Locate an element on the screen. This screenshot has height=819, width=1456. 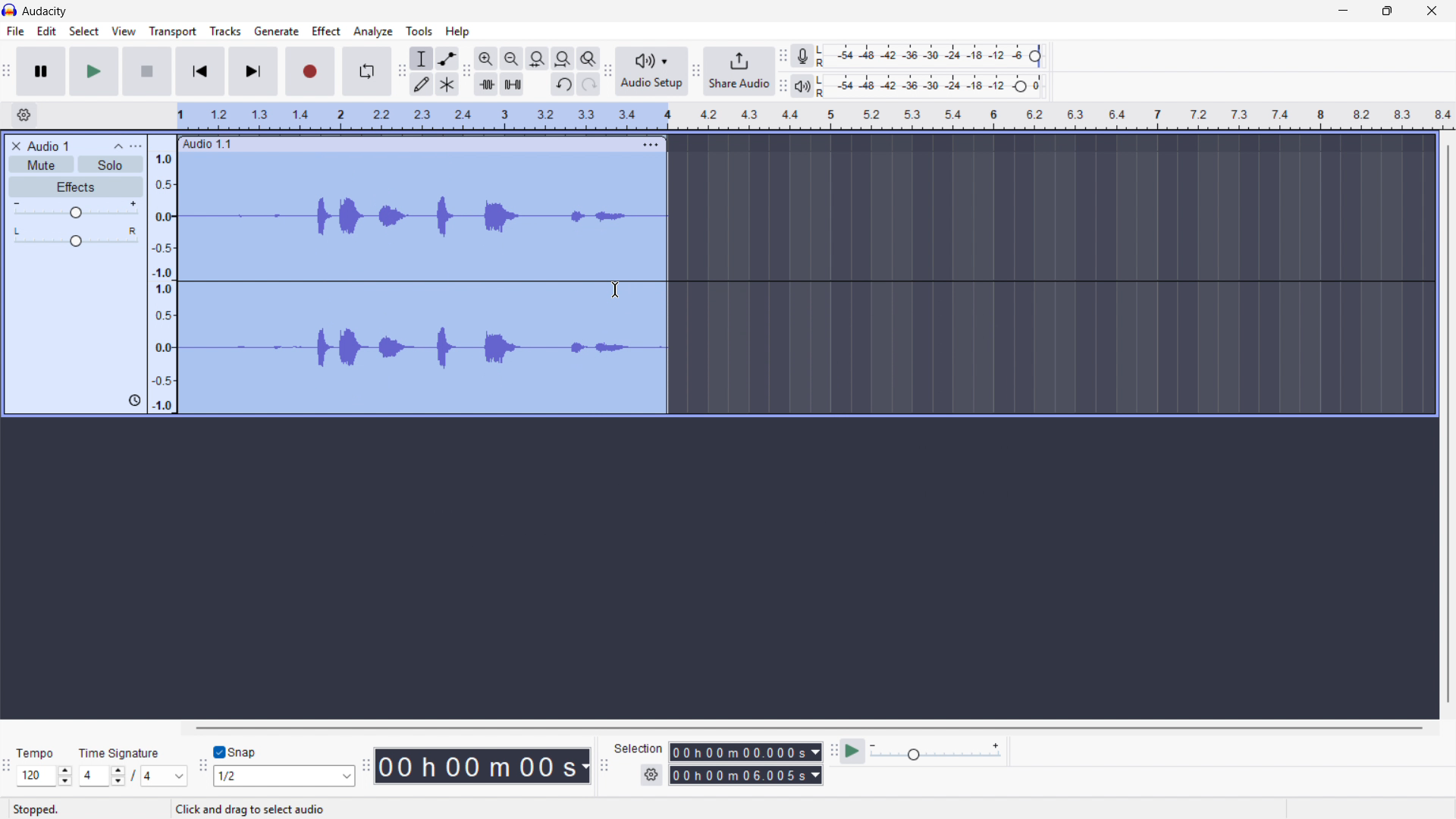
Recording metre is located at coordinates (802, 56).